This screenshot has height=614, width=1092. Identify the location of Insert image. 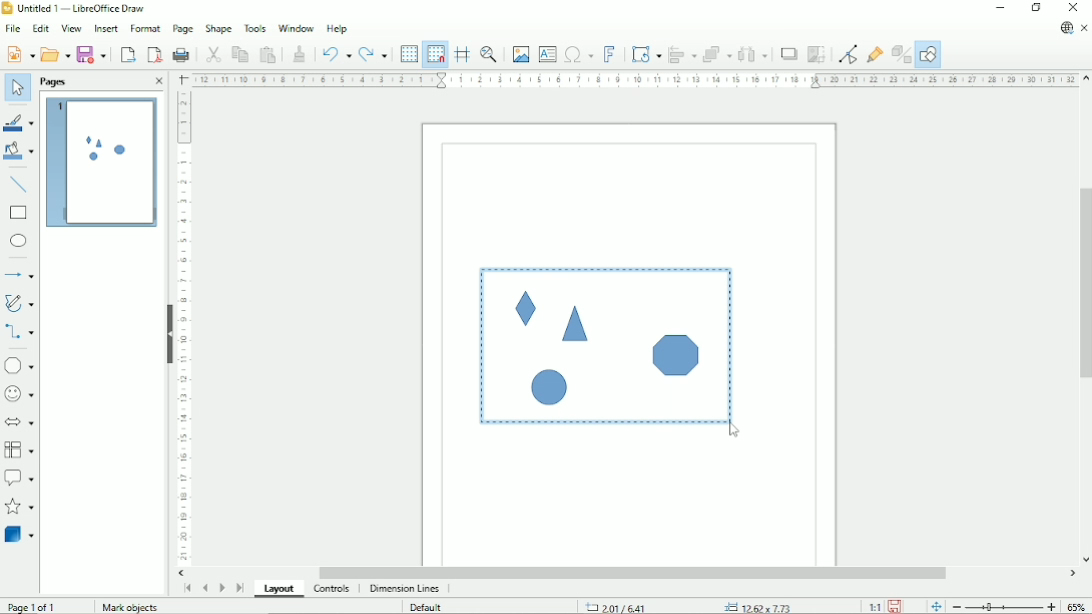
(520, 53).